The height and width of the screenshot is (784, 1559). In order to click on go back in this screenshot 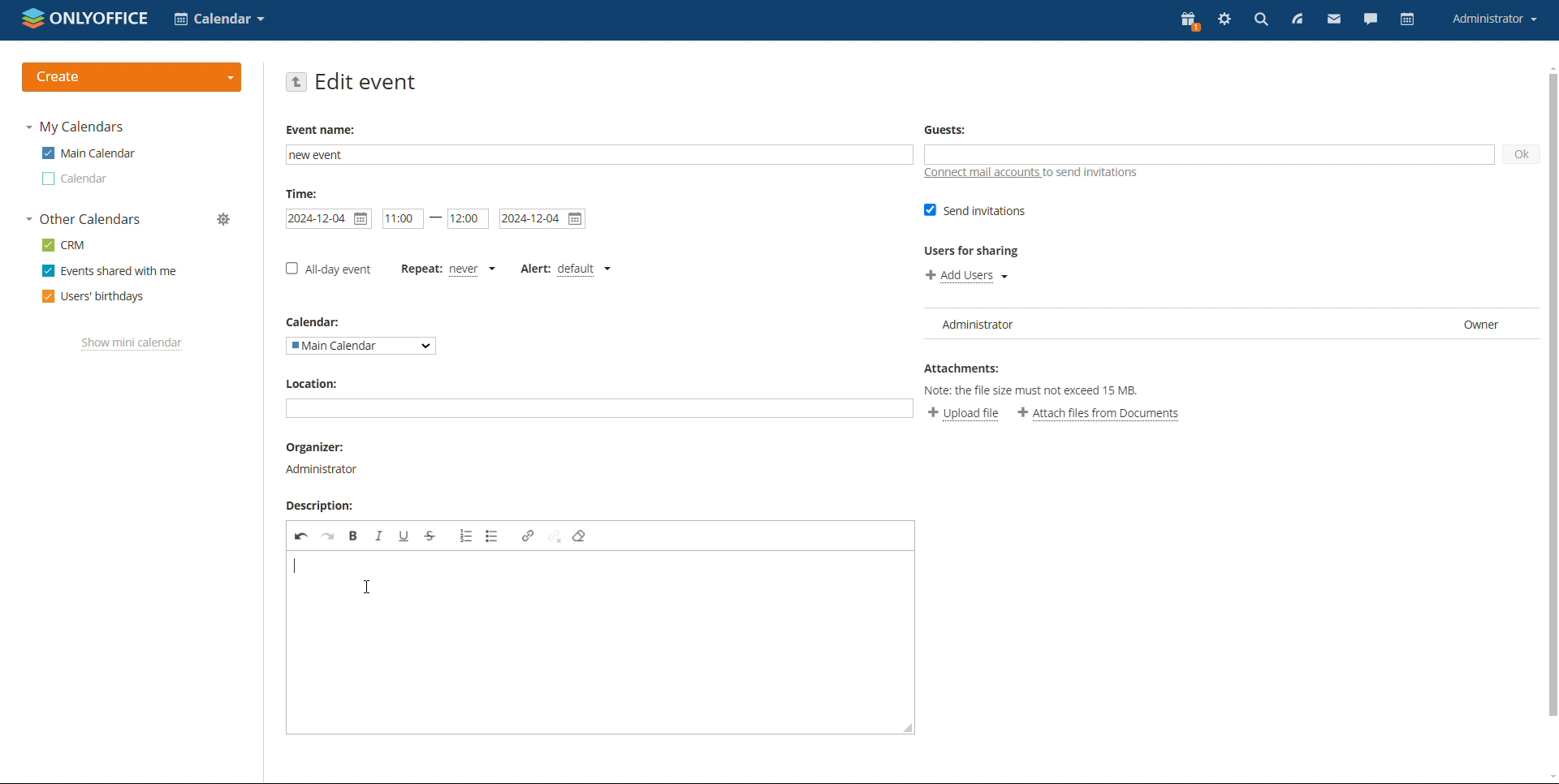, I will do `click(297, 82)`.